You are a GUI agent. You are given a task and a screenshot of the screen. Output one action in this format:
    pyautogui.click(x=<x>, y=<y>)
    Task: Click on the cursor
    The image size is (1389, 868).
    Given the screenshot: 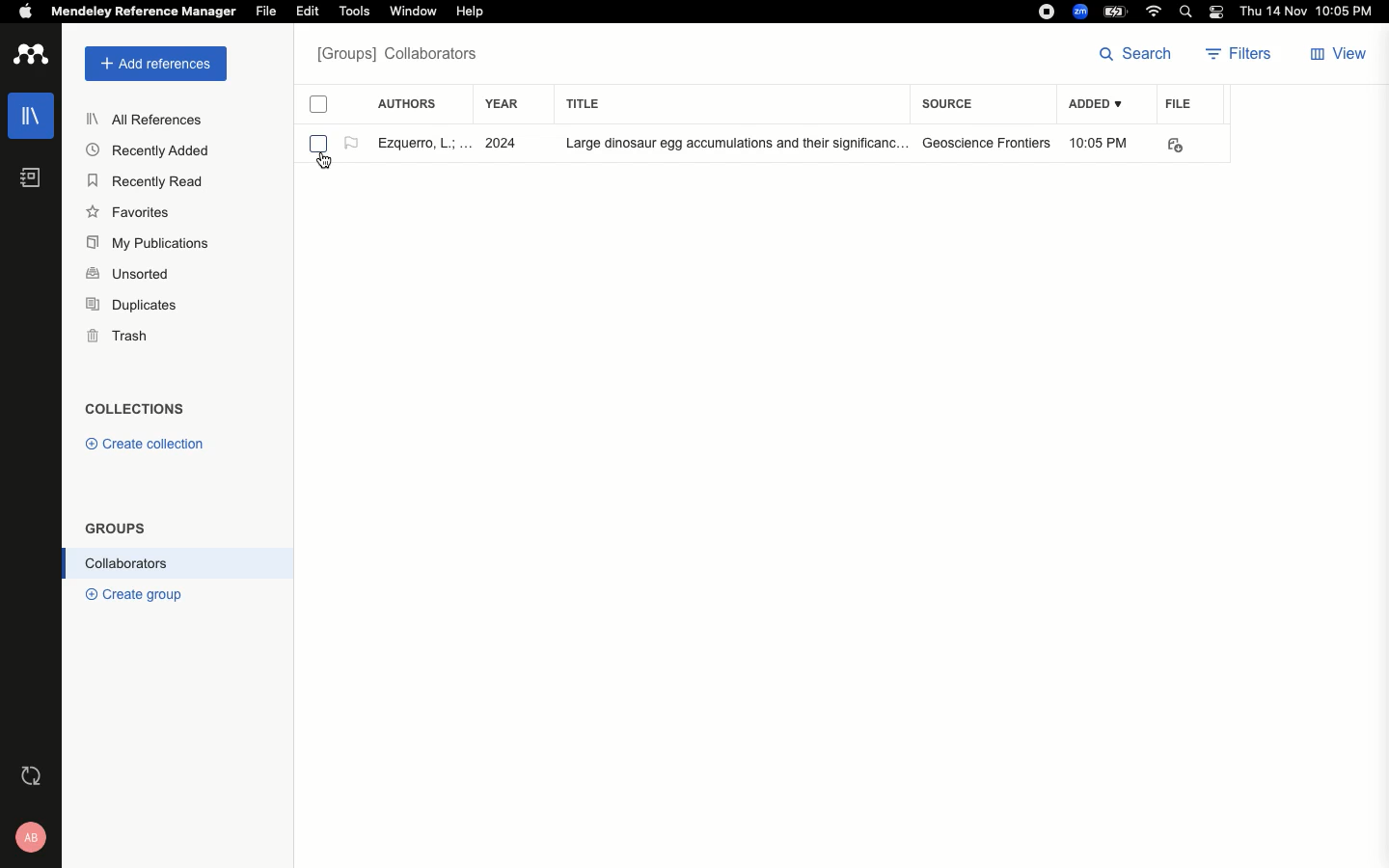 What is the action you would take?
    pyautogui.click(x=325, y=162)
    